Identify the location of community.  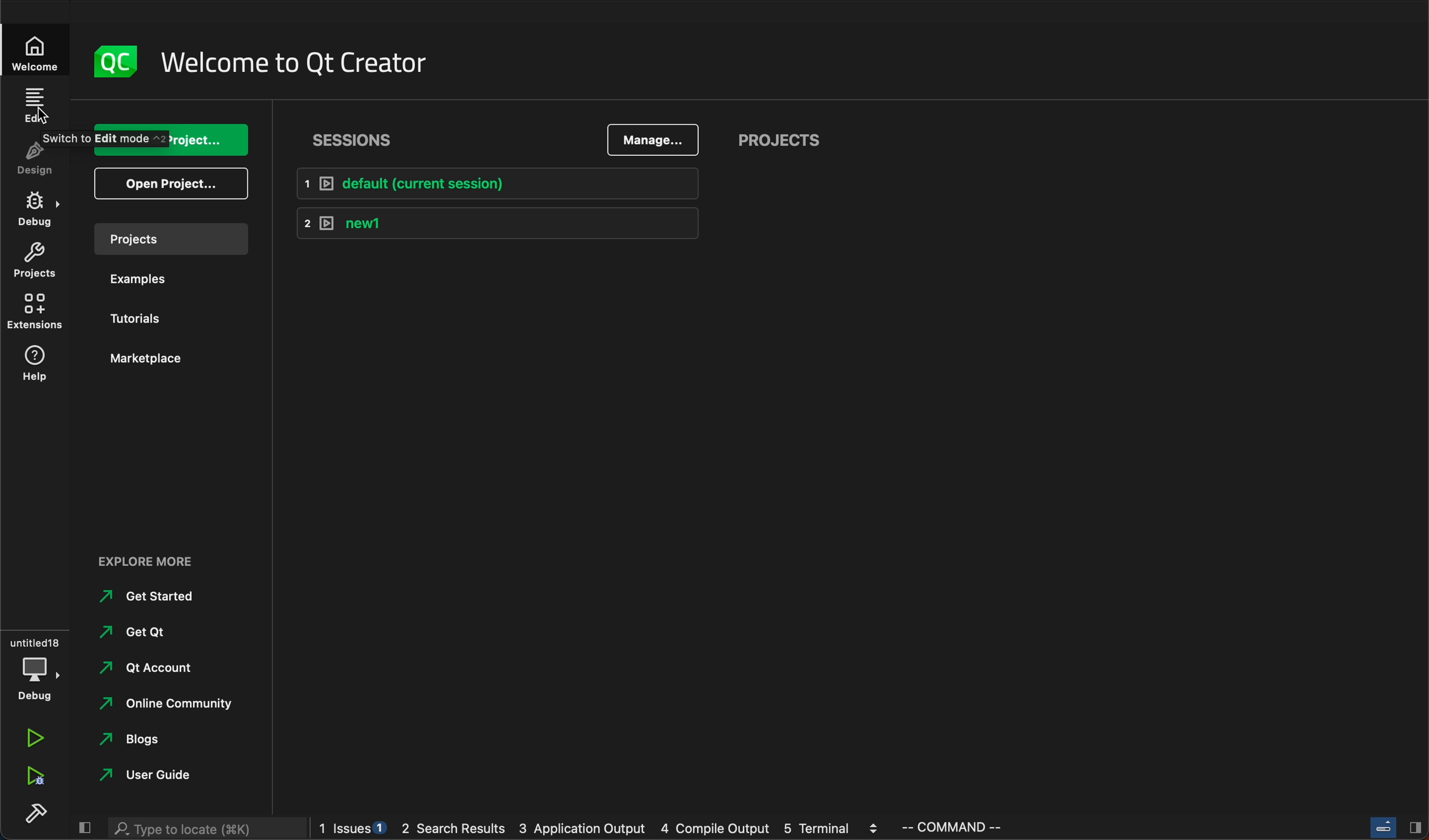
(164, 706).